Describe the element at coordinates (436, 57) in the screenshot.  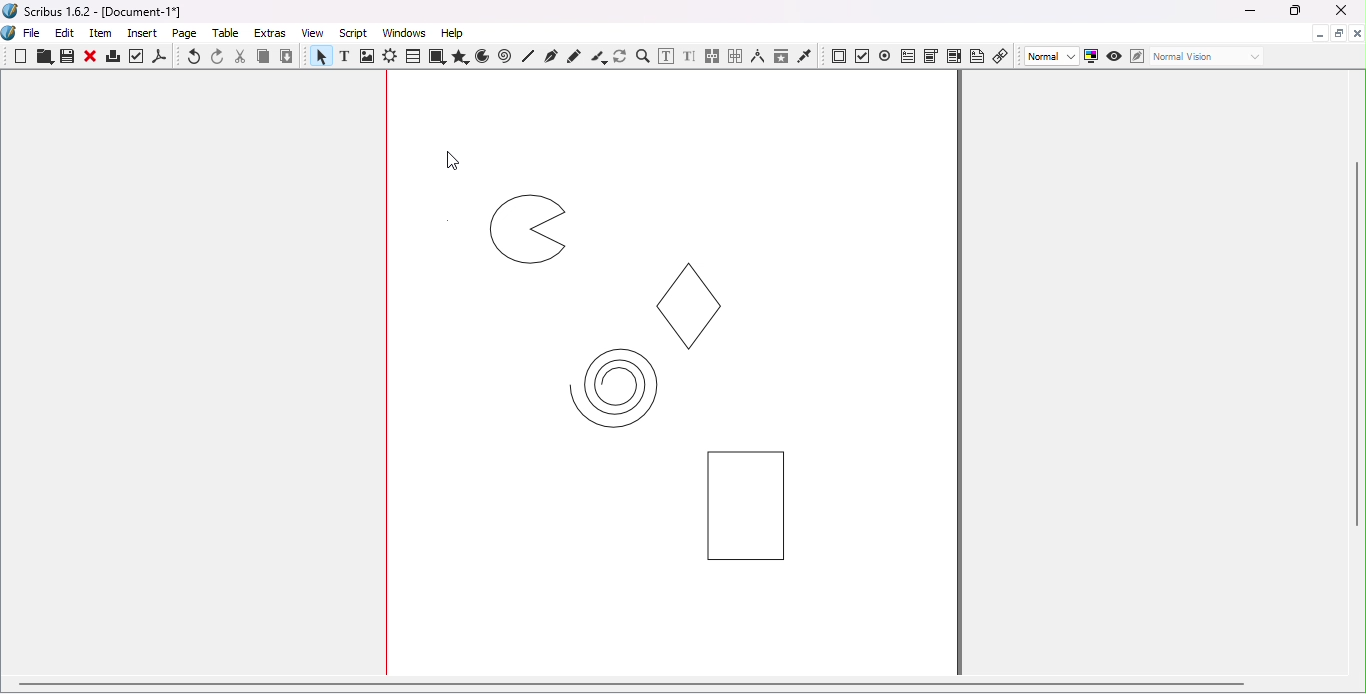
I see `Shapes` at that location.